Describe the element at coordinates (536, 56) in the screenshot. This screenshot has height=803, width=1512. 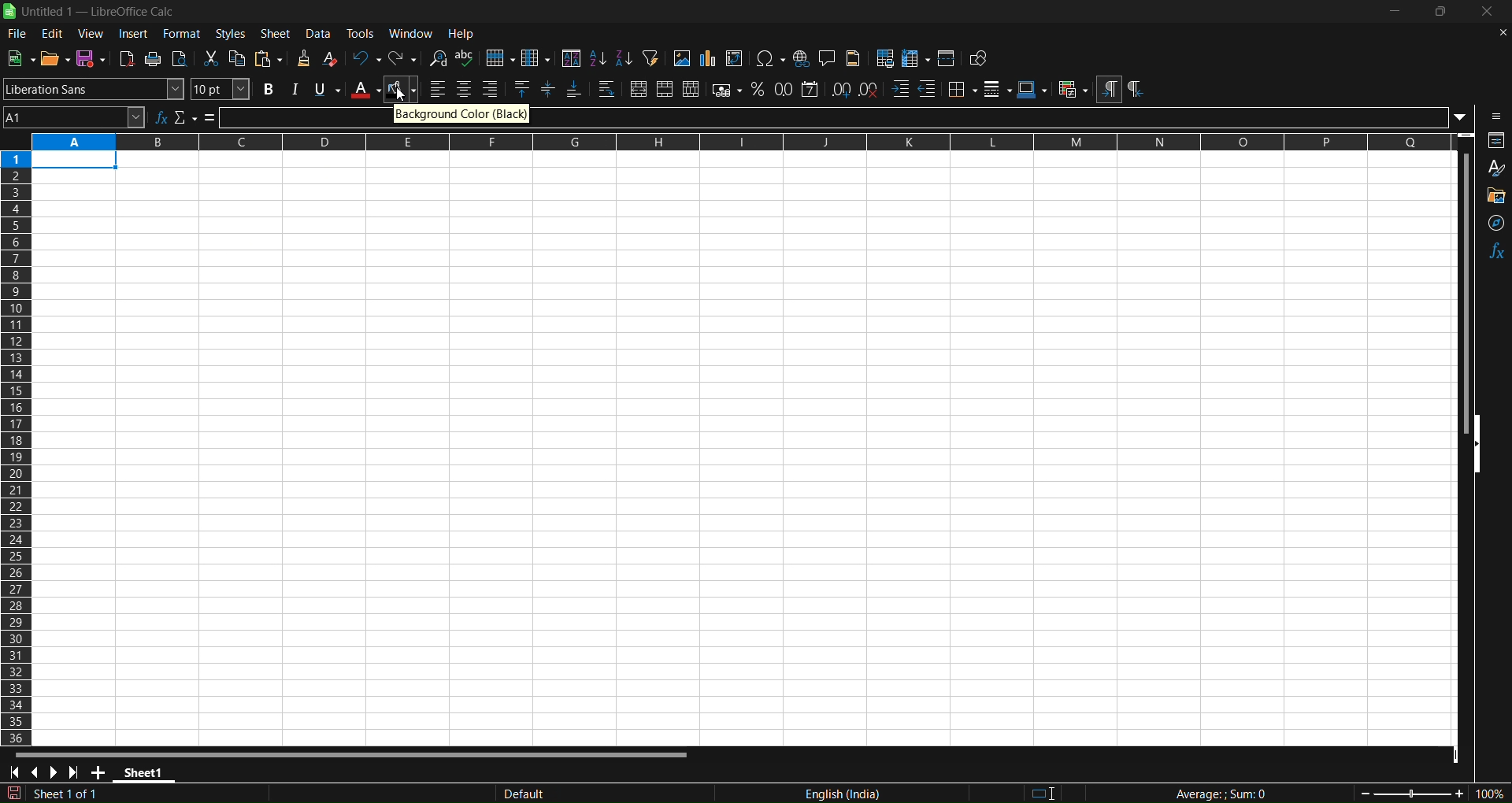
I see `coloum` at that location.